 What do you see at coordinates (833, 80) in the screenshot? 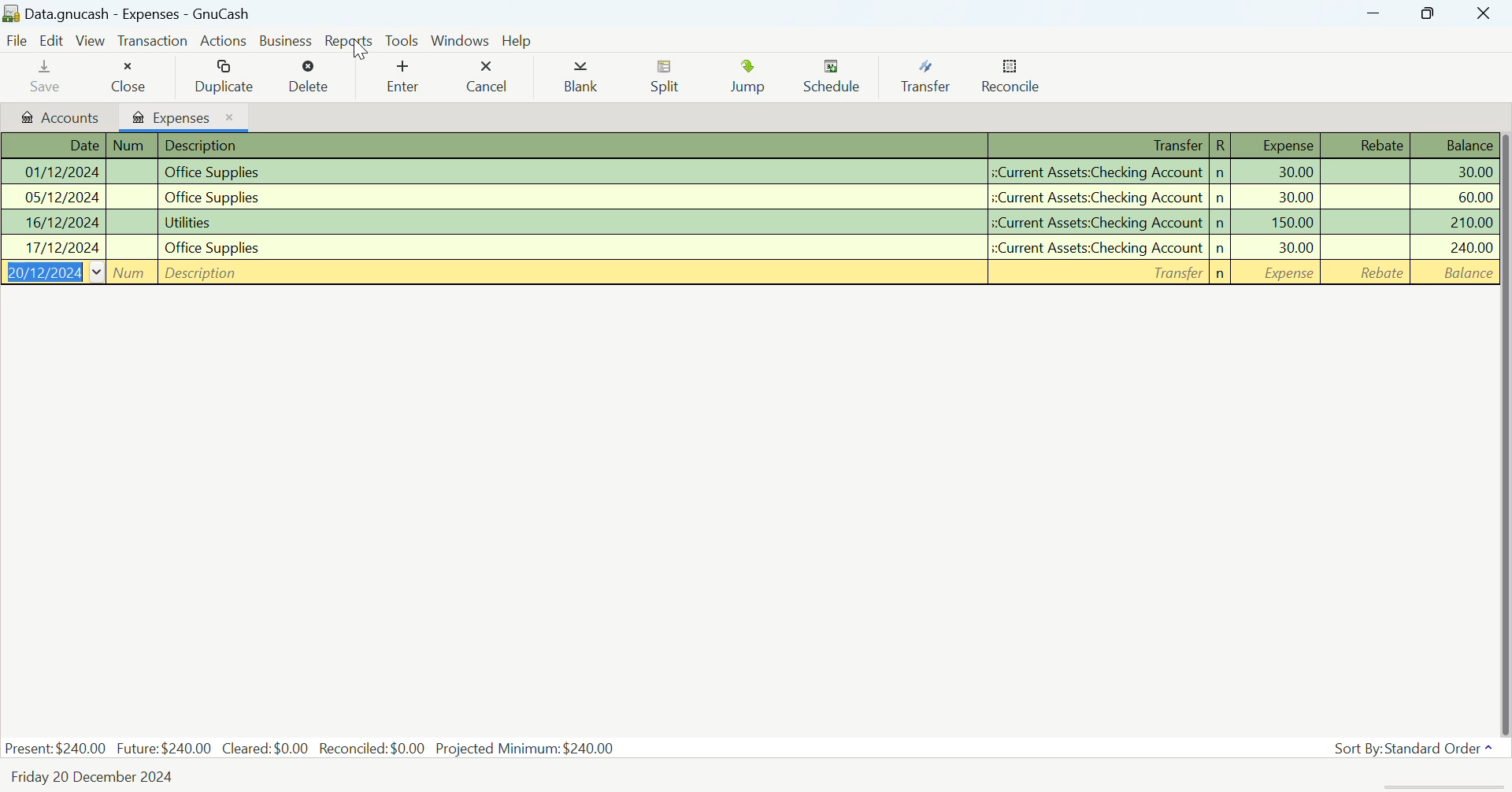
I see `Schedule` at bounding box center [833, 80].